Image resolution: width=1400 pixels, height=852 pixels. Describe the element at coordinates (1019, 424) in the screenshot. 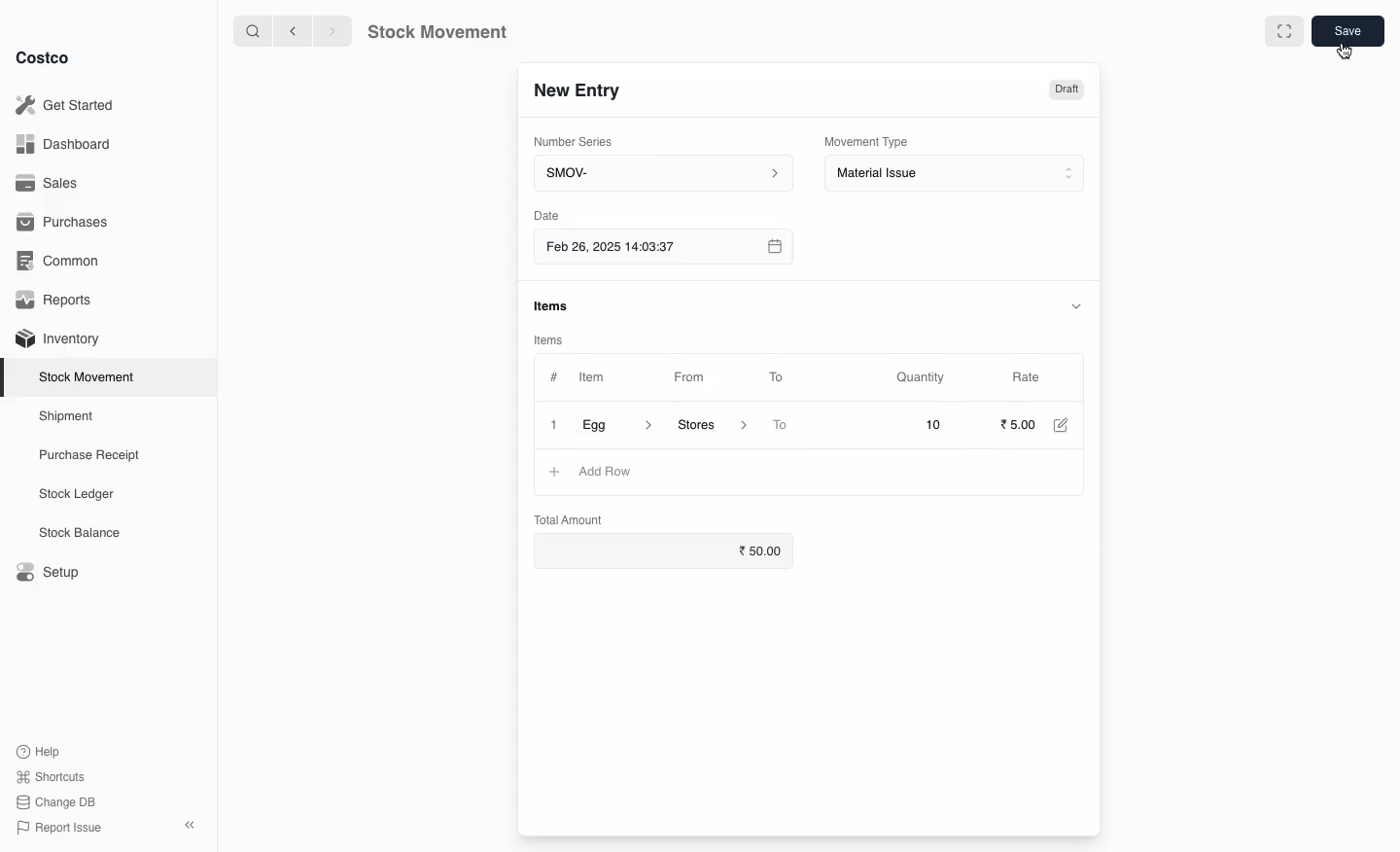

I see `5.00` at that location.